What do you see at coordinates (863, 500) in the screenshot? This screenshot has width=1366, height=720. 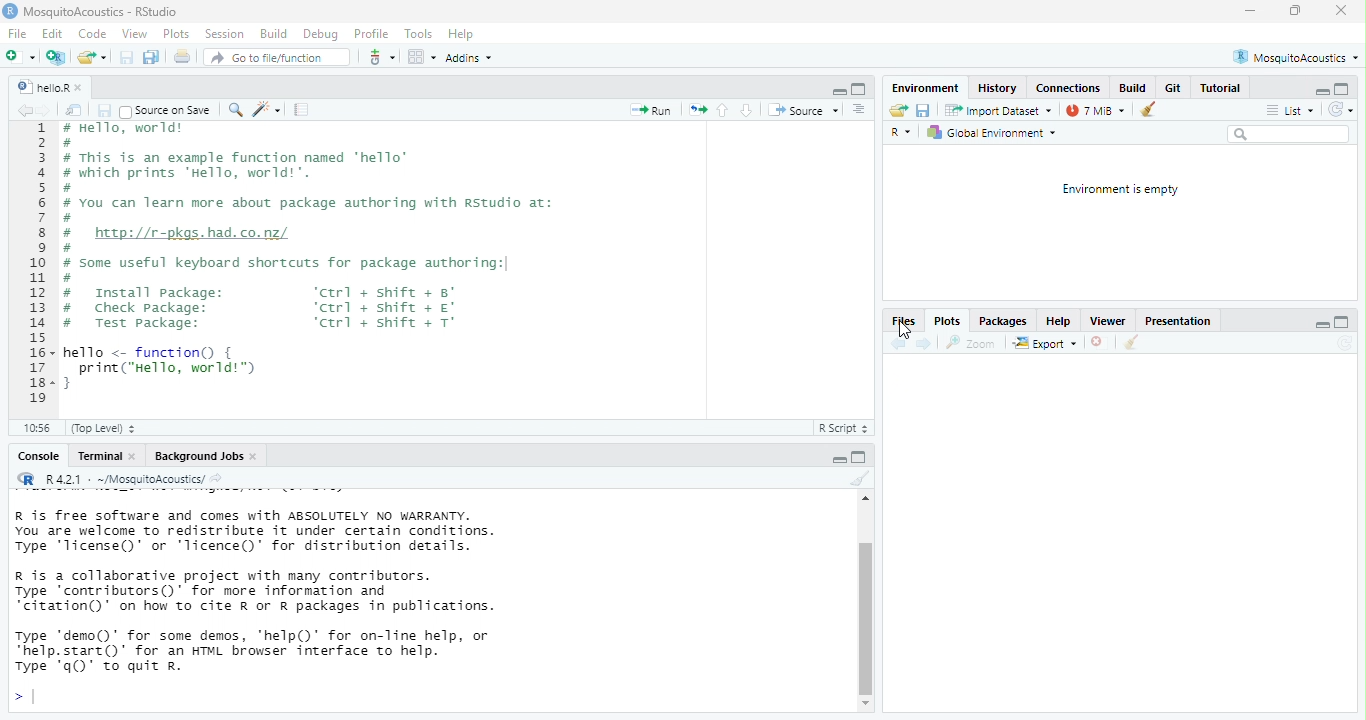 I see `scroll up` at bounding box center [863, 500].